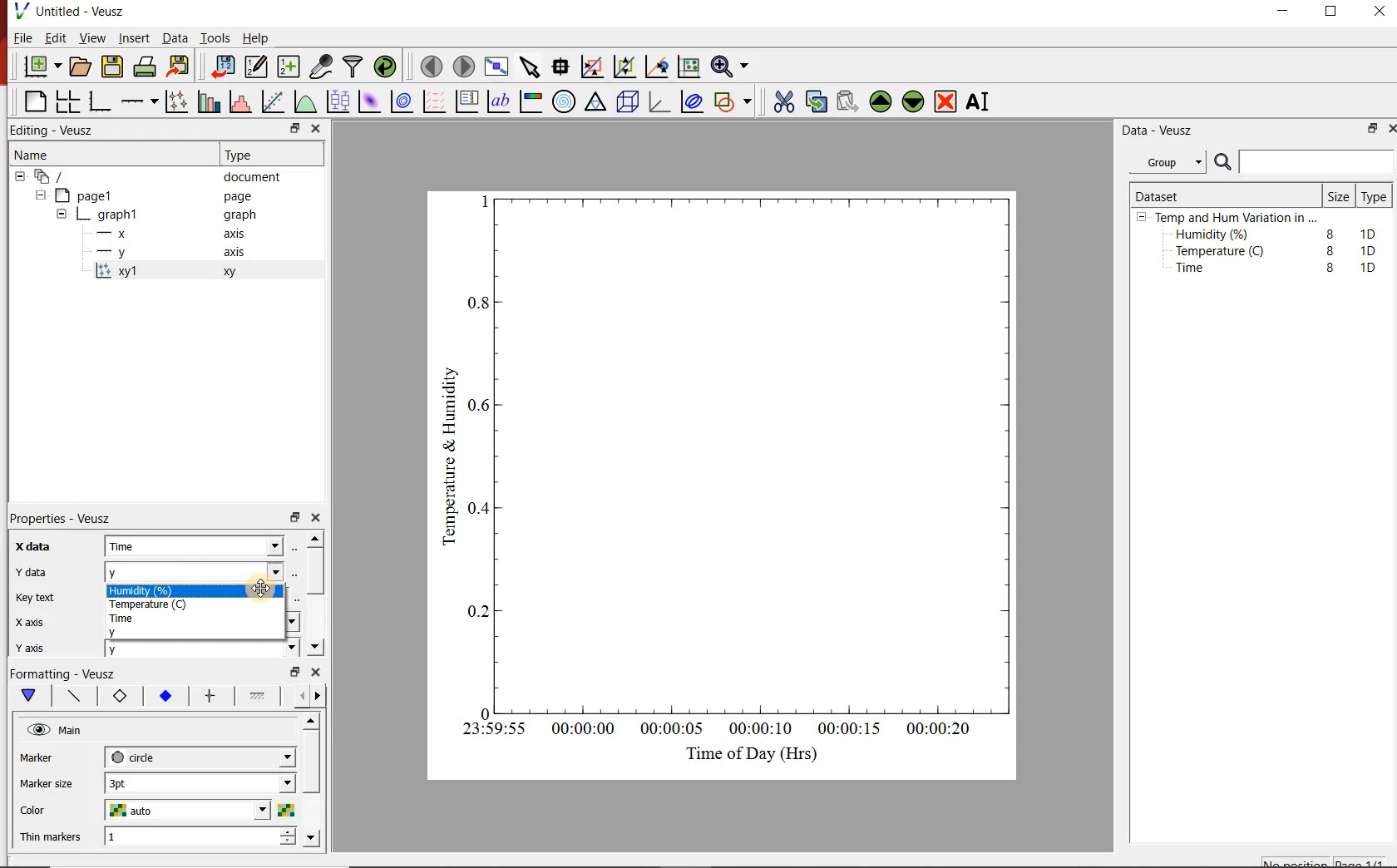 The image size is (1397, 868). What do you see at coordinates (947, 101) in the screenshot?
I see `Remove the selected widget` at bounding box center [947, 101].